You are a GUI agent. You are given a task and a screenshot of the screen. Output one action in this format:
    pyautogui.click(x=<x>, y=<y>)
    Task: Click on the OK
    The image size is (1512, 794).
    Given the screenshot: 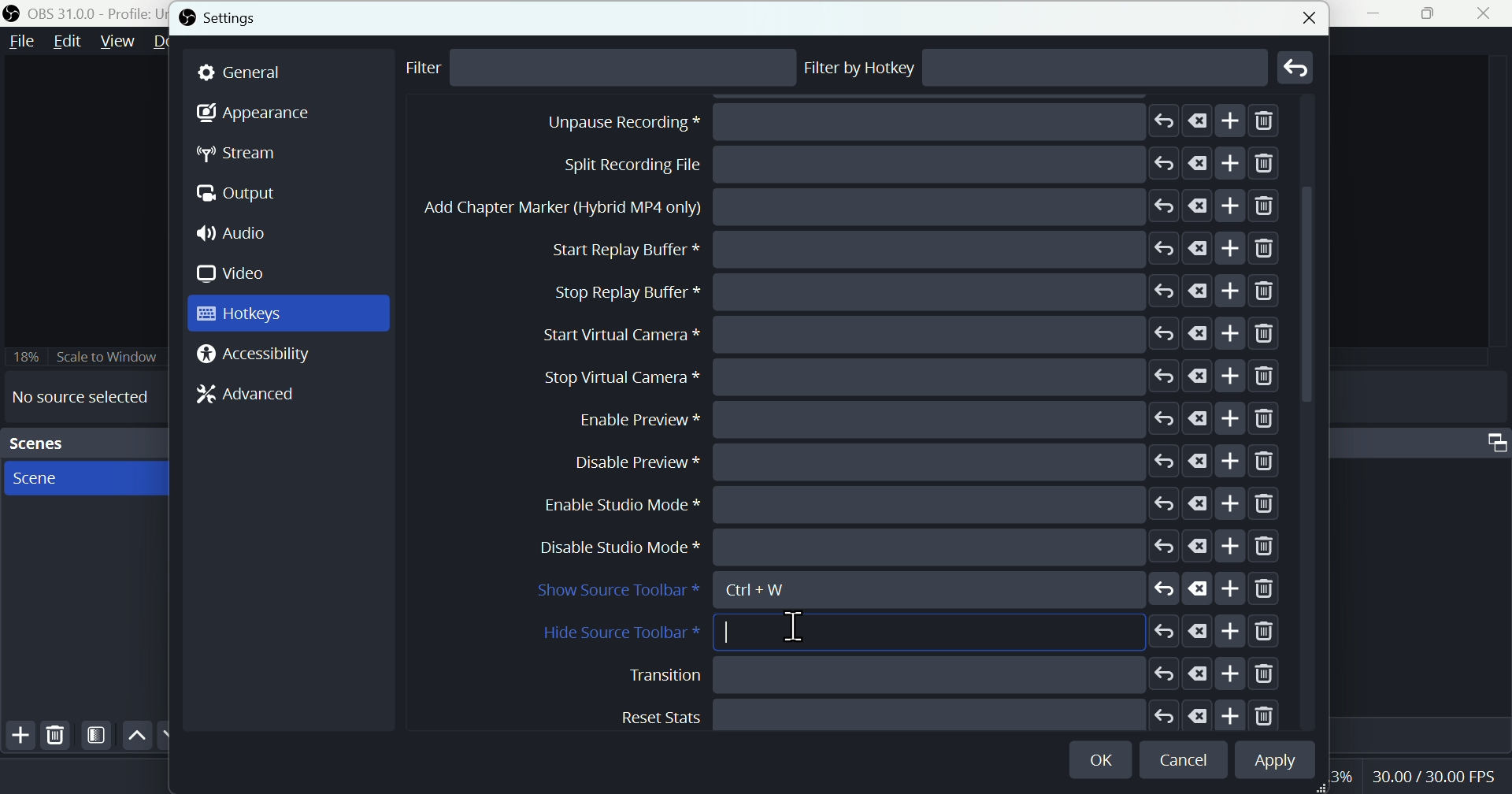 What is the action you would take?
    pyautogui.click(x=1103, y=757)
    